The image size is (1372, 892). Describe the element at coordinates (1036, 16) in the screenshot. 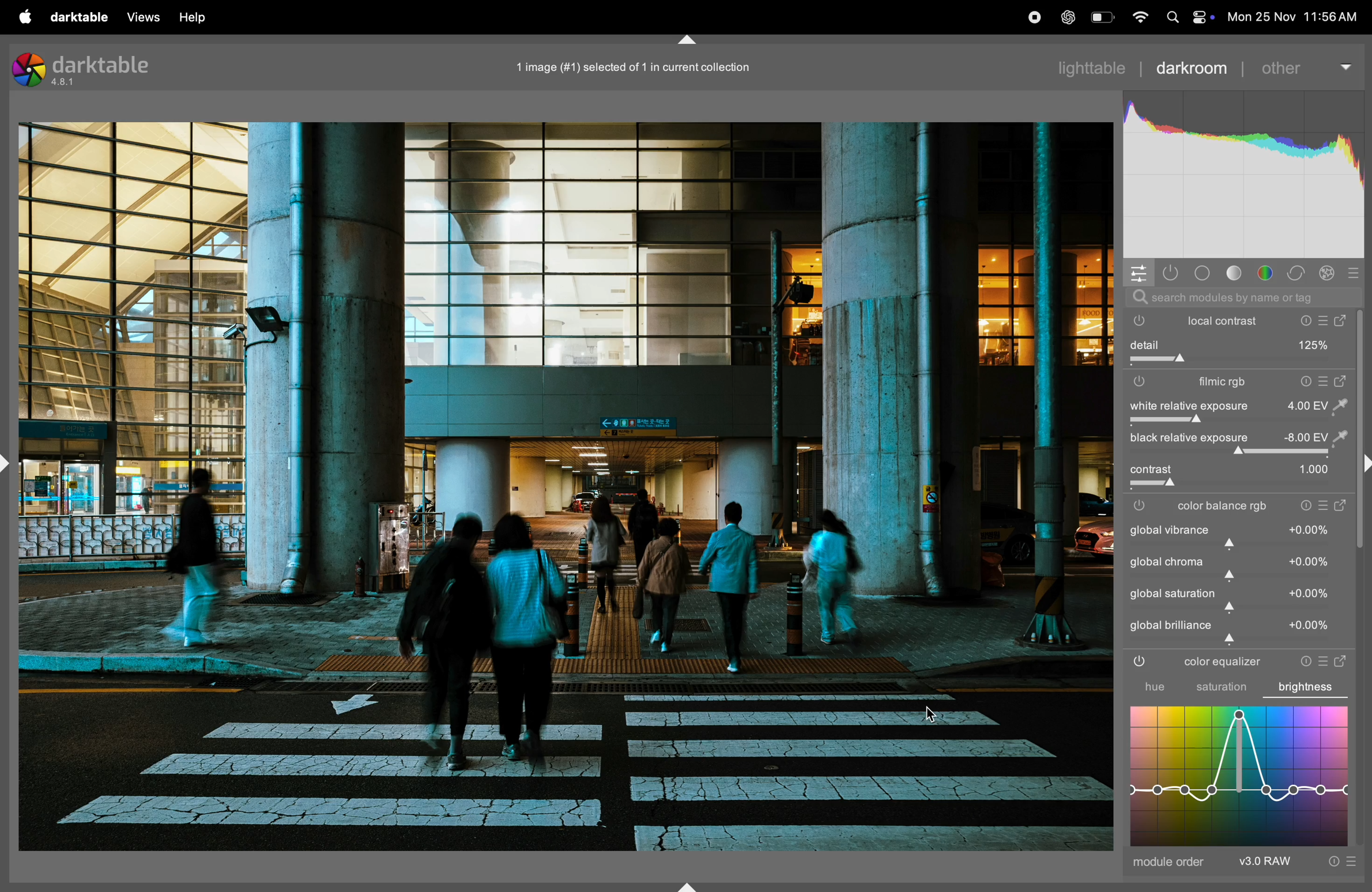

I see `record` at that location.